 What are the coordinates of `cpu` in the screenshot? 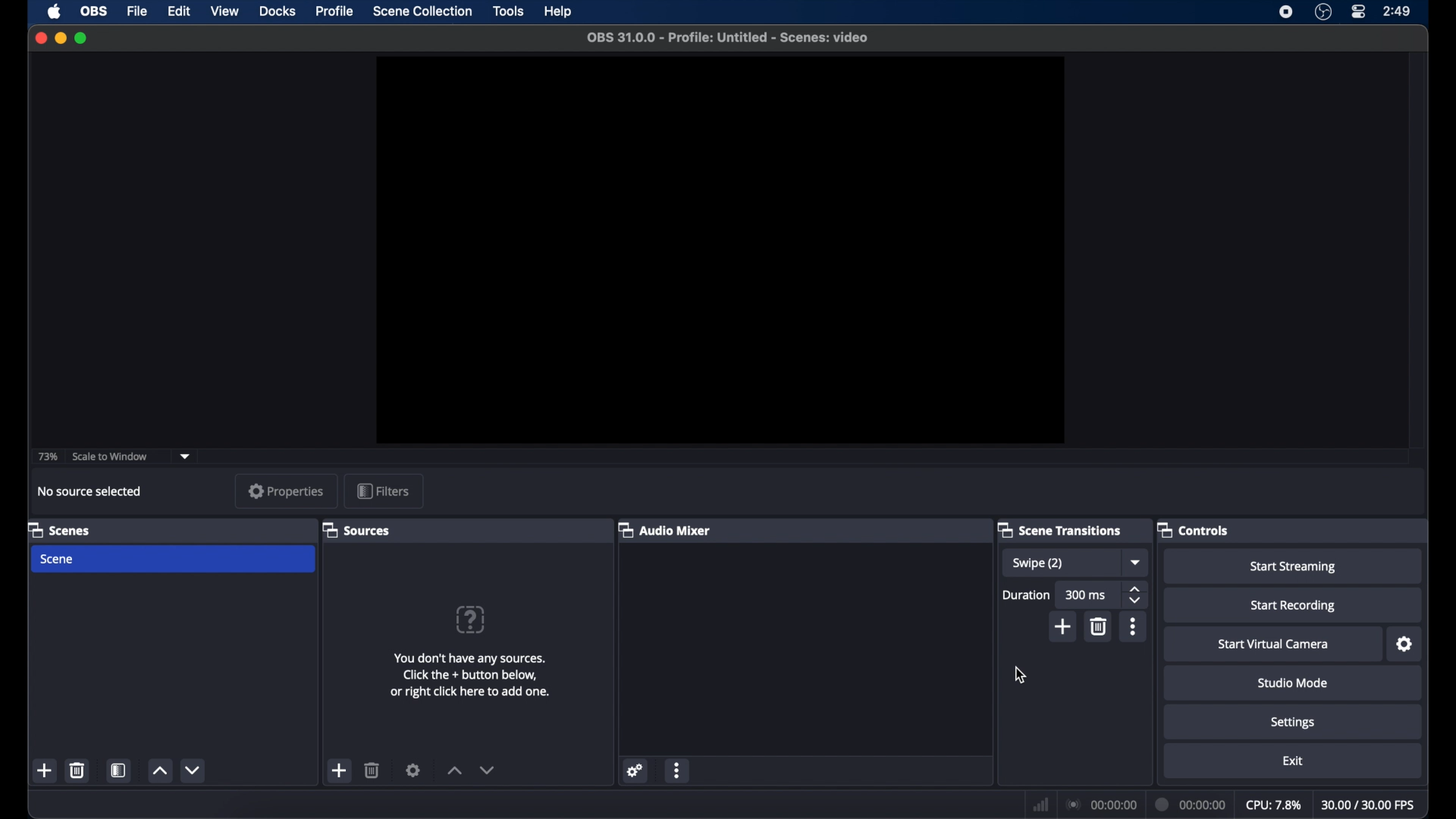 It's located at (1272, 805).